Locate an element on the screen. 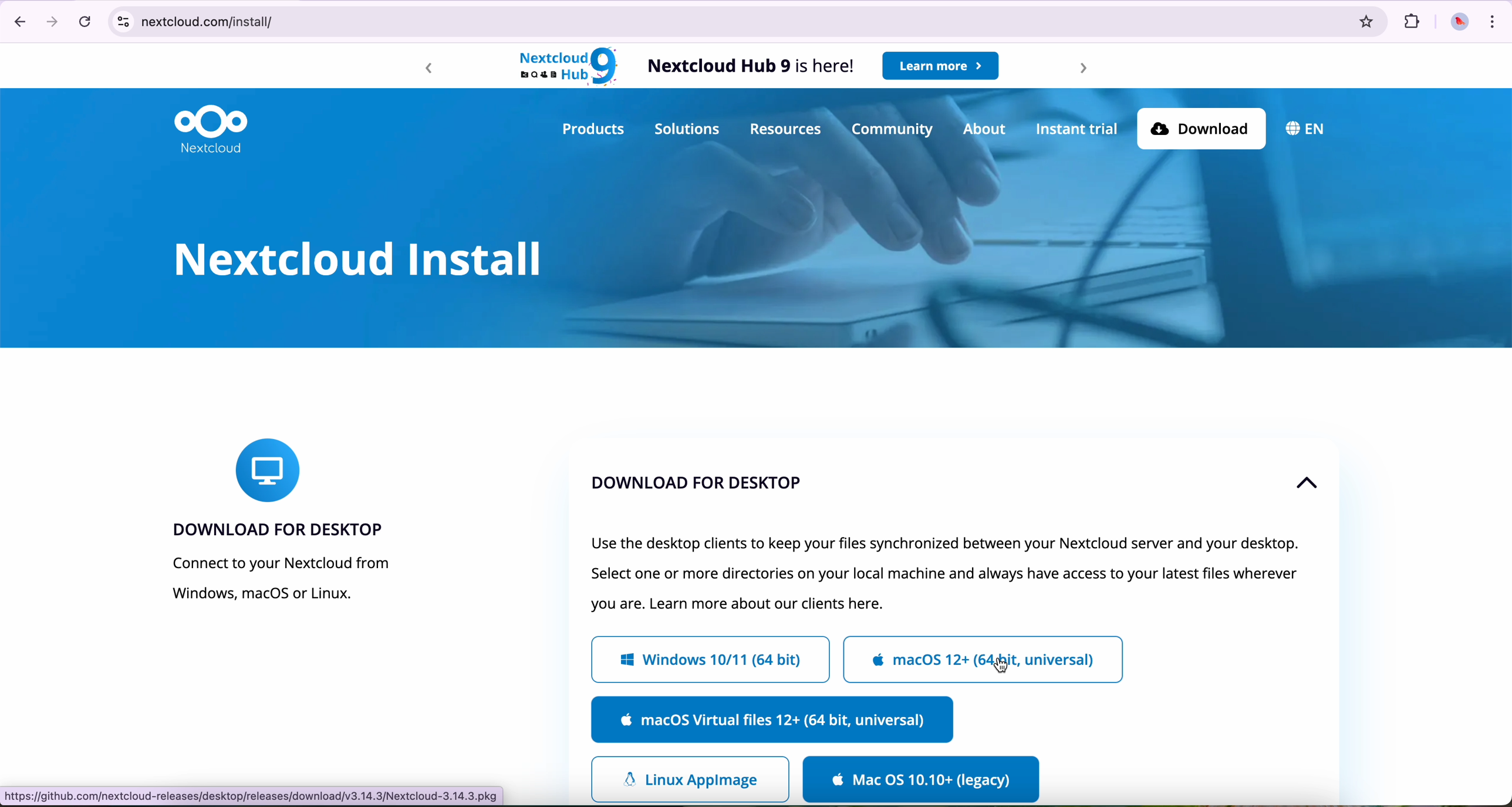 The height and width of the screenshot is (807, 1512). about is located at coordinates (987, 129).